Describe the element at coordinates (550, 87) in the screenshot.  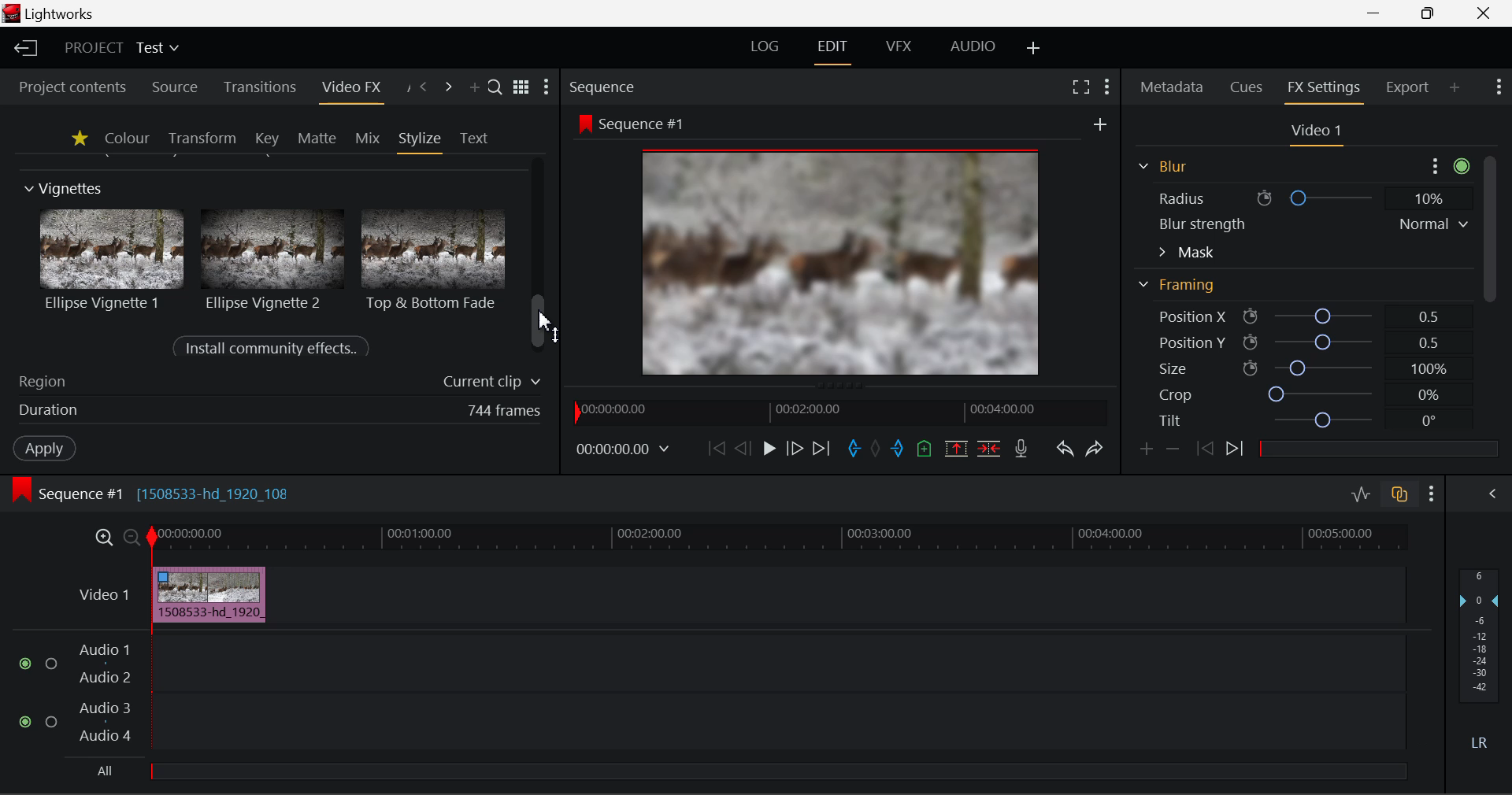
I see `Show Settings` at that location.